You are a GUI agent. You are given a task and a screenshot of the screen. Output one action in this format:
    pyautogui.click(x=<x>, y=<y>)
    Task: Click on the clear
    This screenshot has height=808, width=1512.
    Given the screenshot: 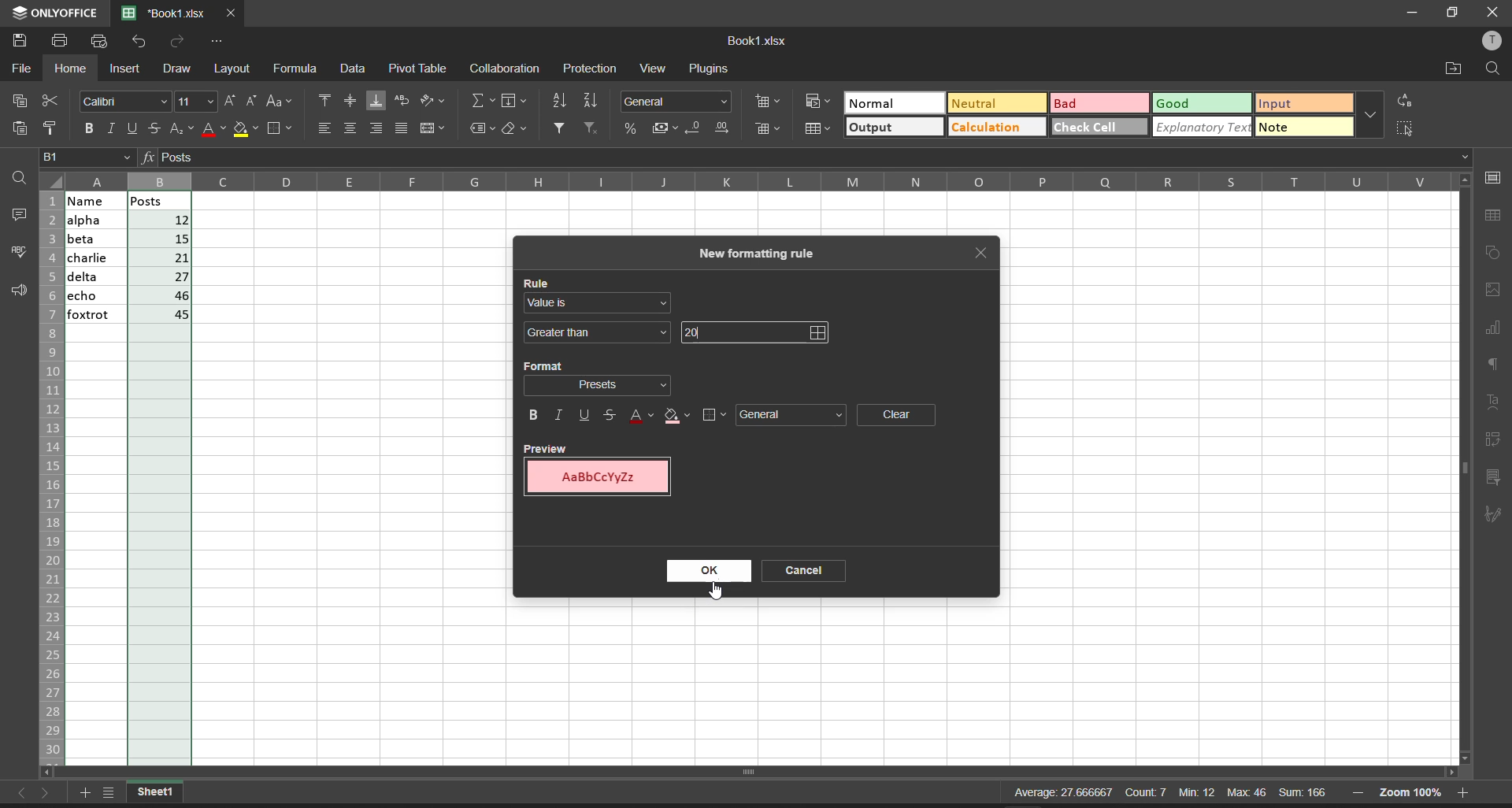 What is the action you would take?
    pyautogui.click(x=898, y=416)
    